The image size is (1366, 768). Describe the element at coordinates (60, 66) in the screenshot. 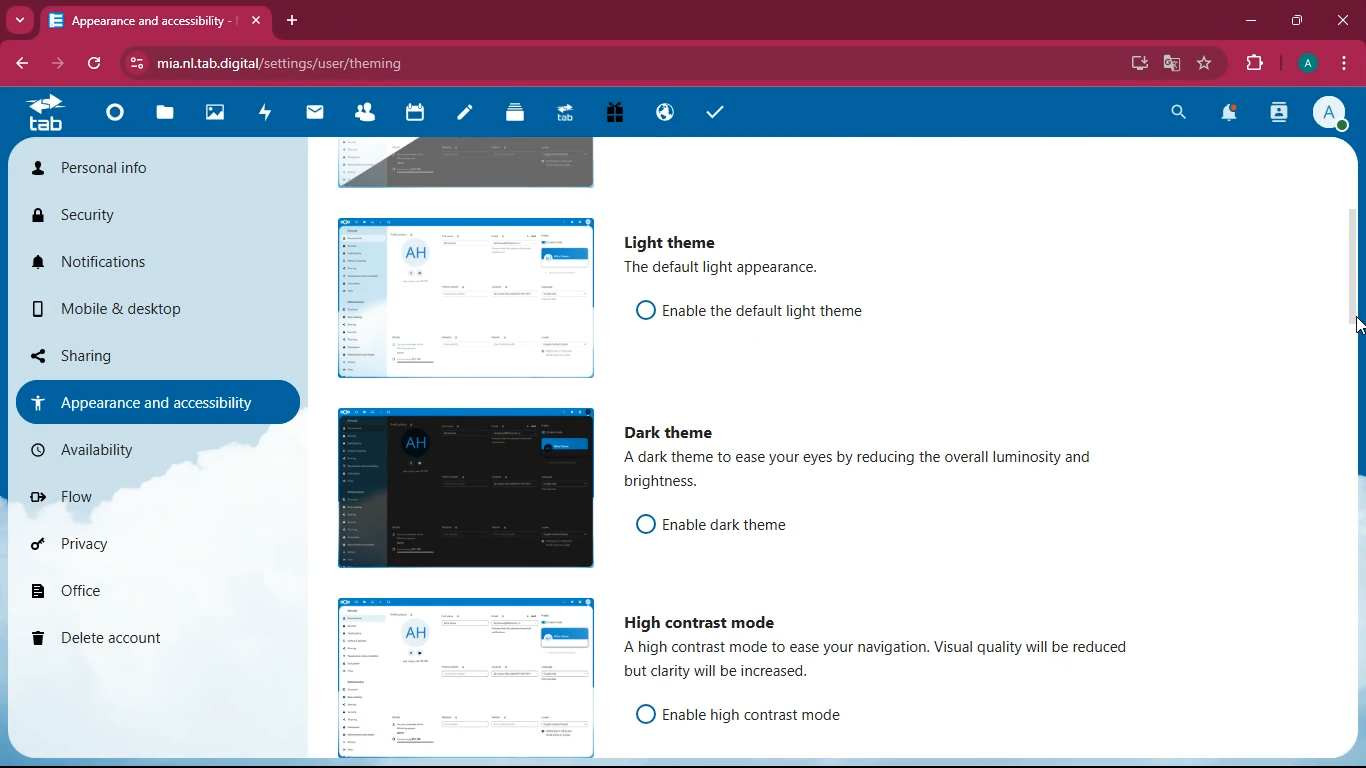

I see `forward` at that location.